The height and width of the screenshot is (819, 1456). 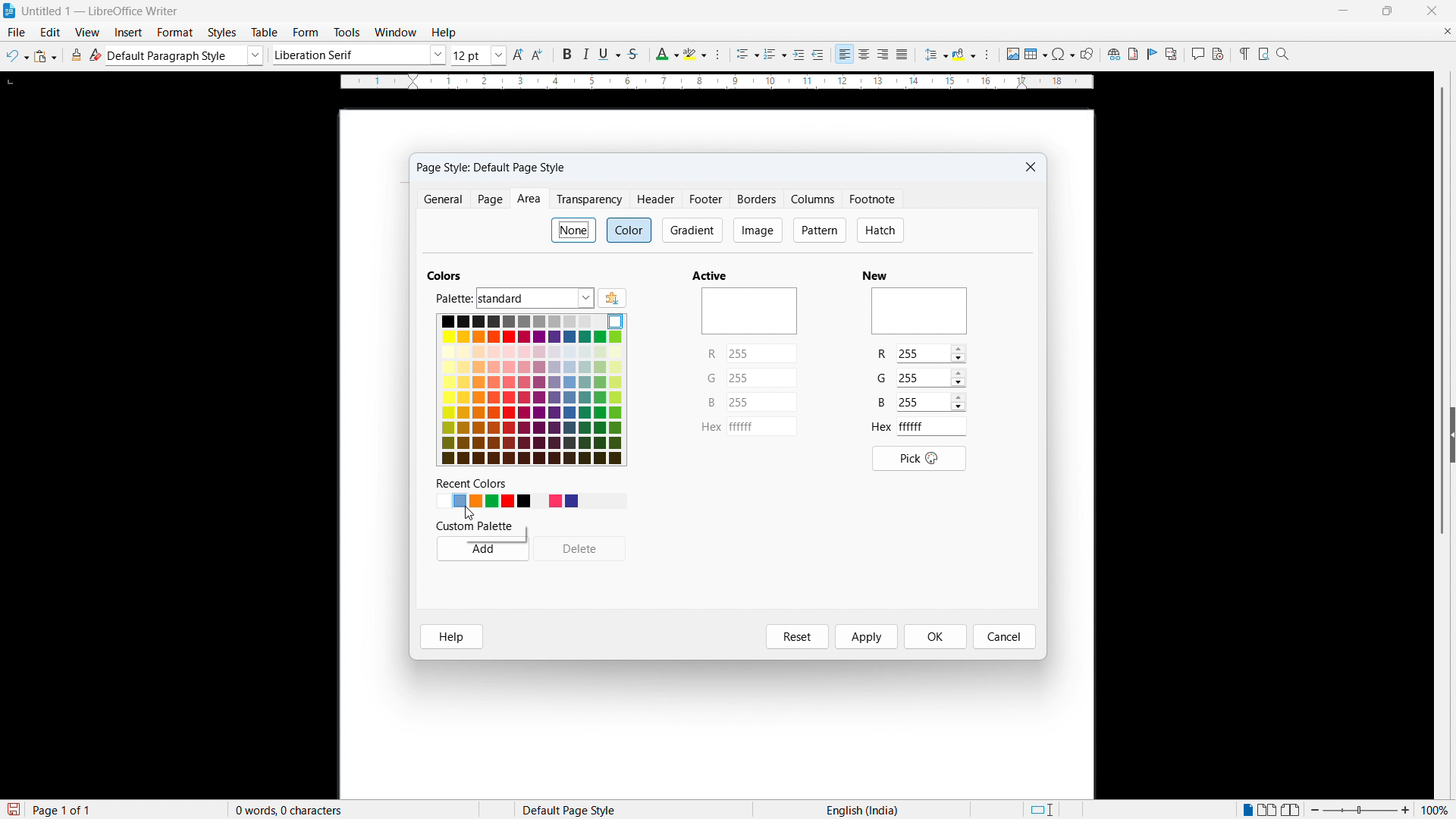 What do you see at coordinates (1062, 53) in the screenshot?
I see `Add symbol ` at bounding box center [1062, 53].